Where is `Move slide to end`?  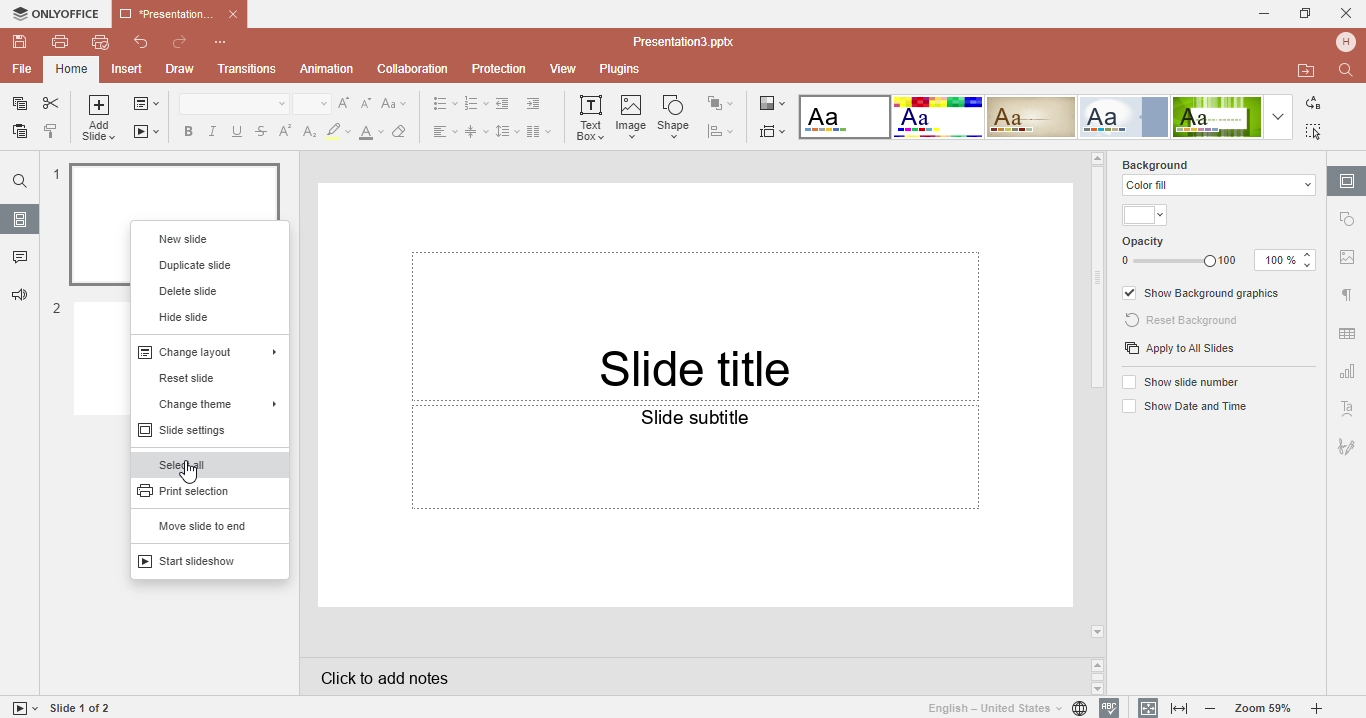
Move slide to end is located at coordinates (201, 526).